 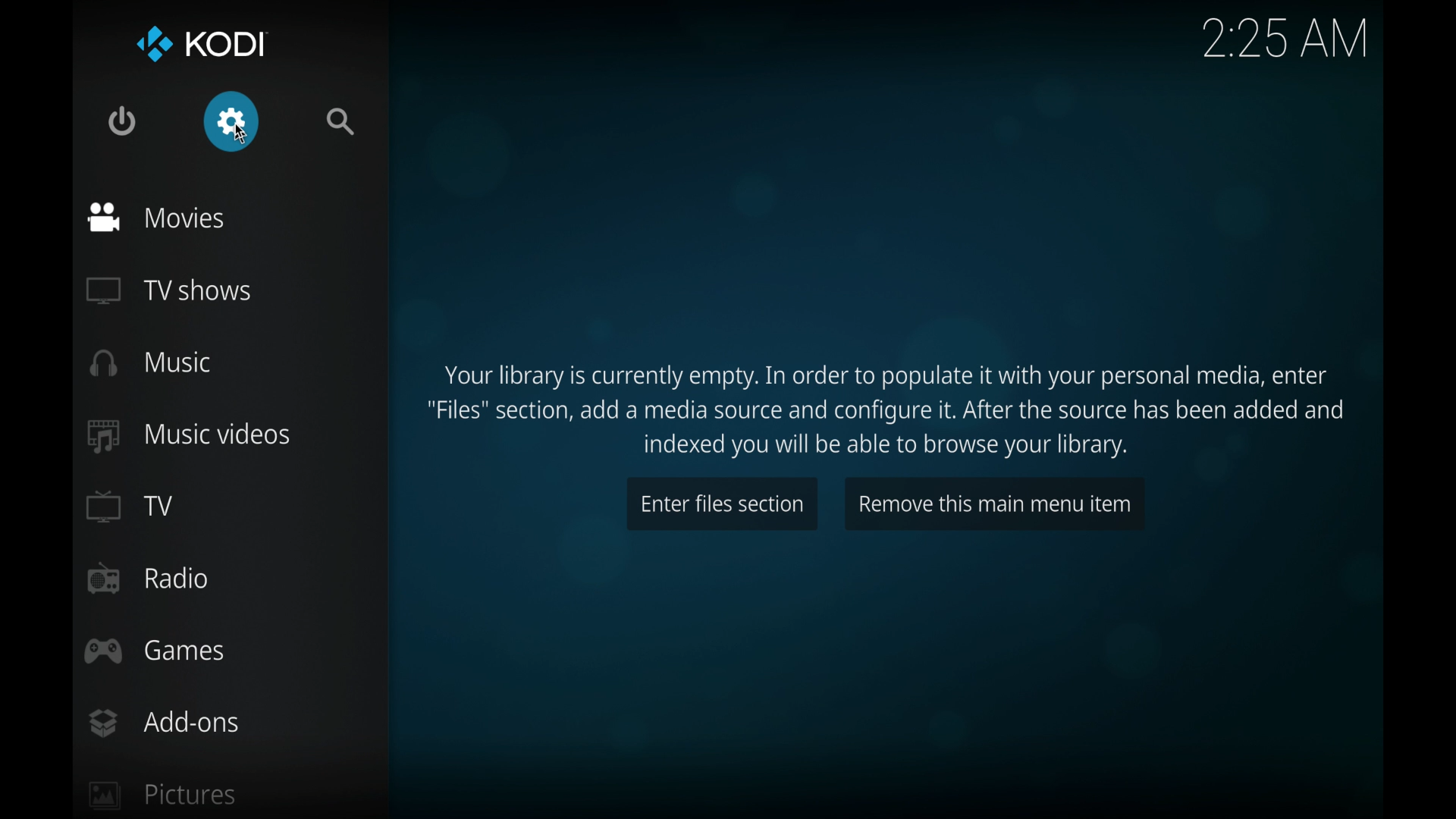 I want to click on music videos, so click(x=187, y=437).